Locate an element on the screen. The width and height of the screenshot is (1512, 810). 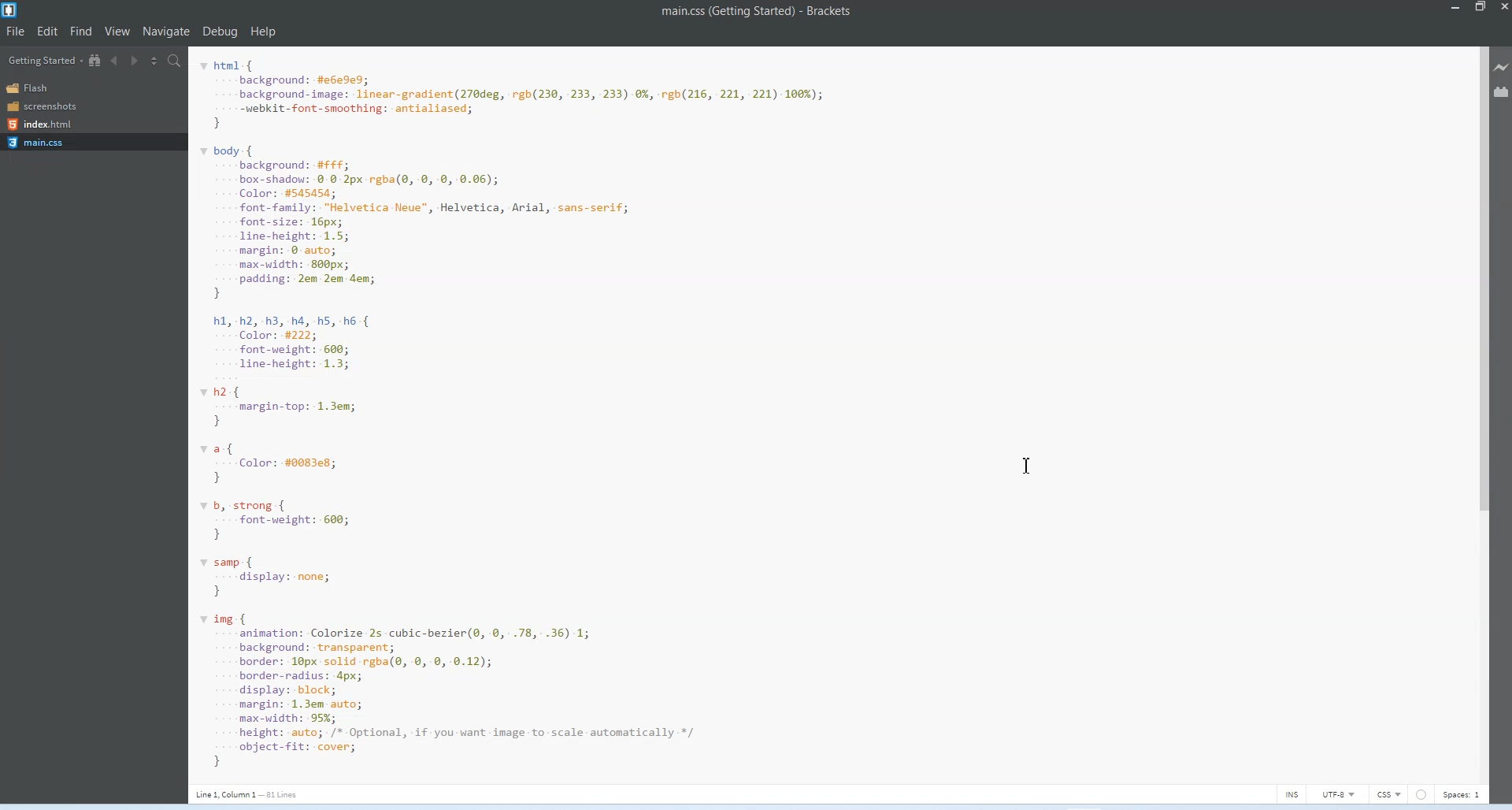
Minimize is located at coordinates (1456, 8).